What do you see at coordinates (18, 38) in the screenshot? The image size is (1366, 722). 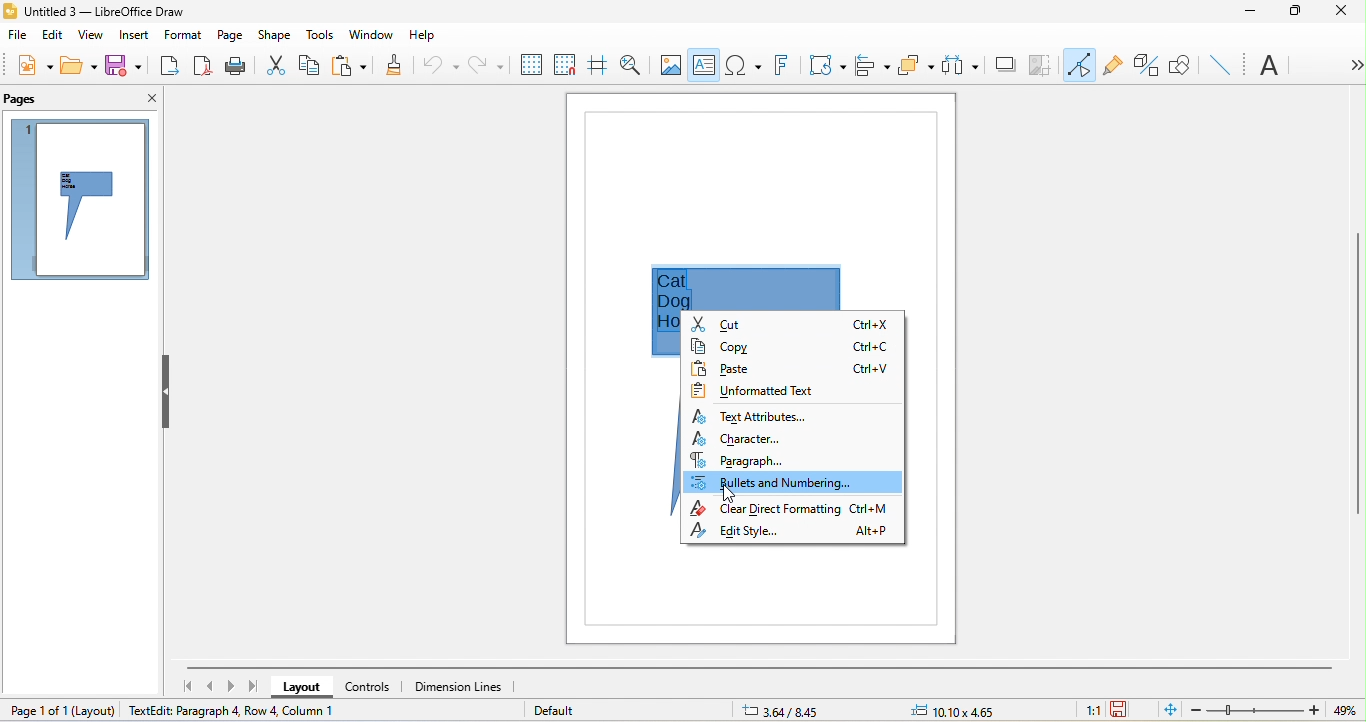 I see `file` at bounding box center [18, 38].